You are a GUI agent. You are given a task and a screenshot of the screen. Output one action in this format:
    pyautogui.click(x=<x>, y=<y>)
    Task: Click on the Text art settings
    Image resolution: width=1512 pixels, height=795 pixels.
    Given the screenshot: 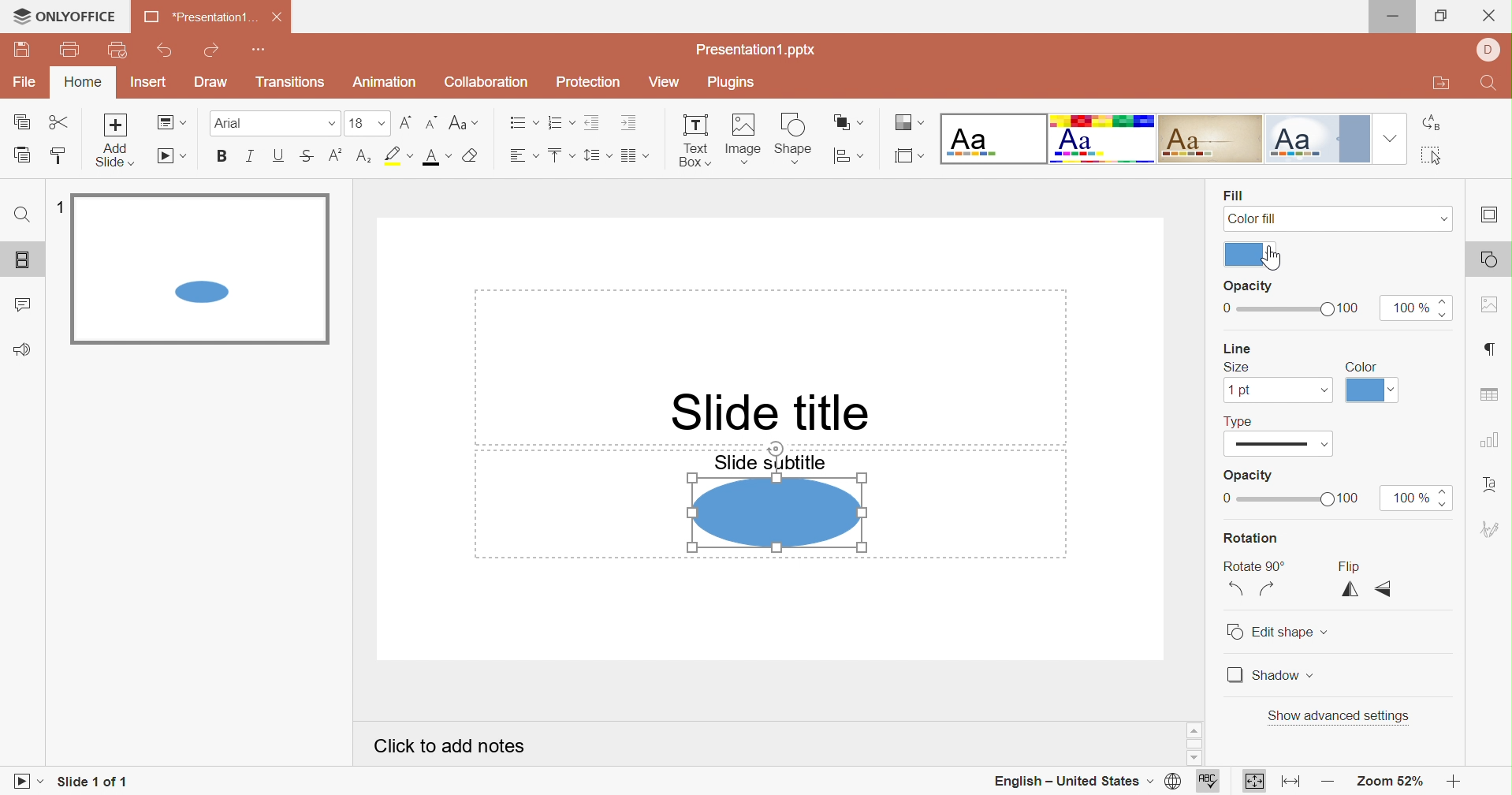 What is the action you would take?
    pyautogui.click(x=1492, y=483)
    